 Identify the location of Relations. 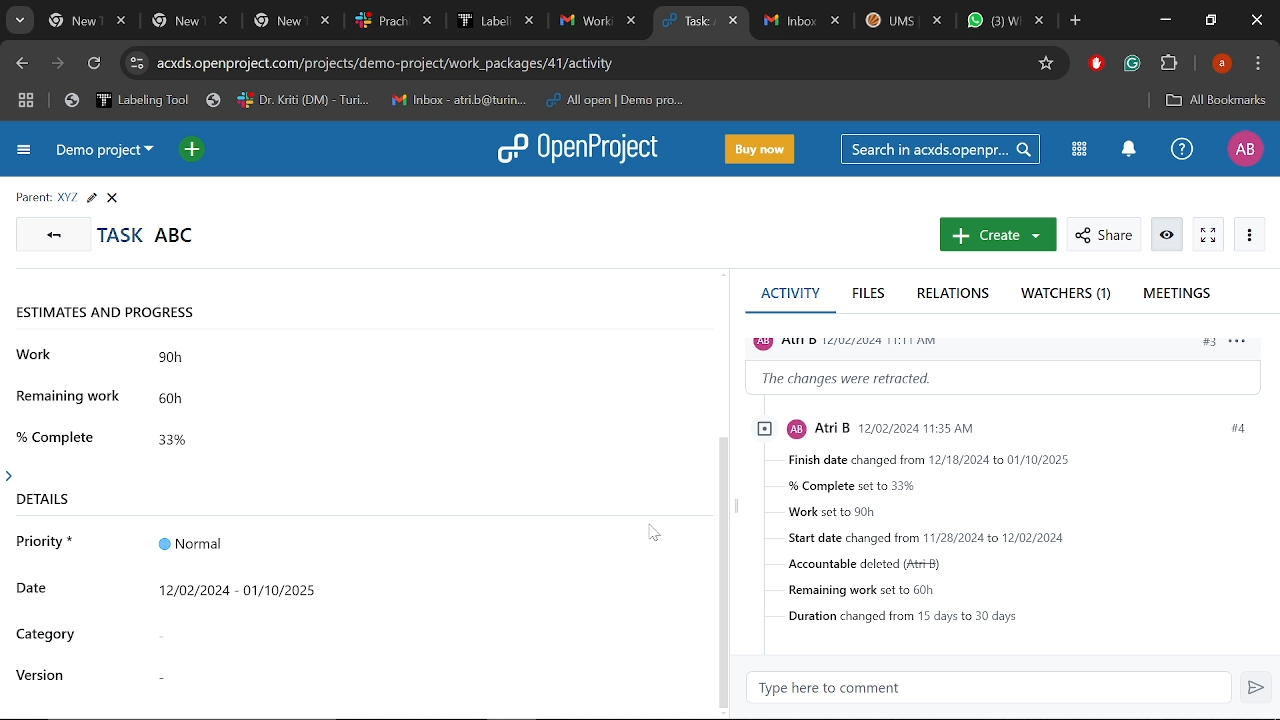
(958, 295).